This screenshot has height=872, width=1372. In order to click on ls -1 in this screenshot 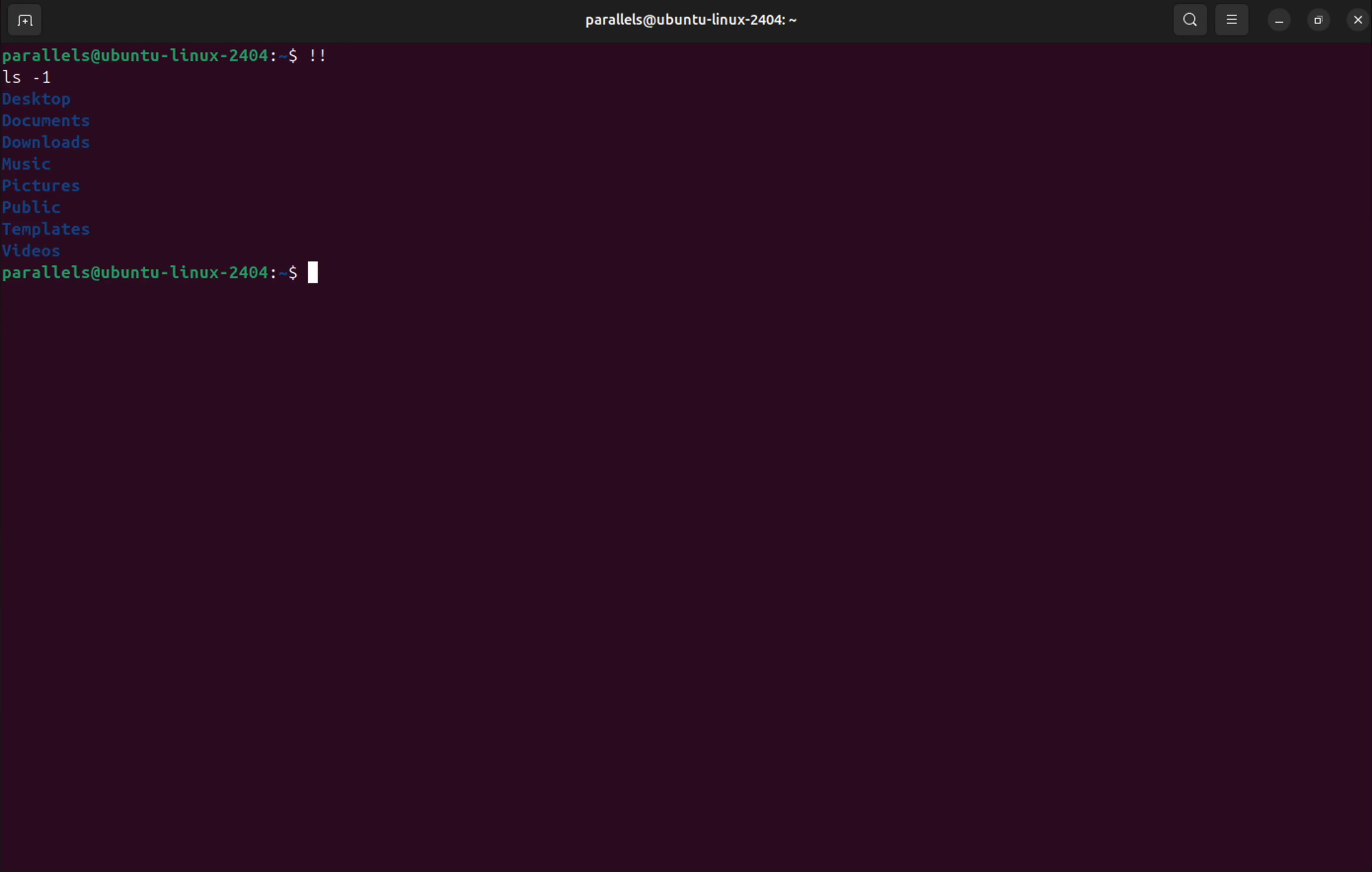, I will do `click(36, 76)`.